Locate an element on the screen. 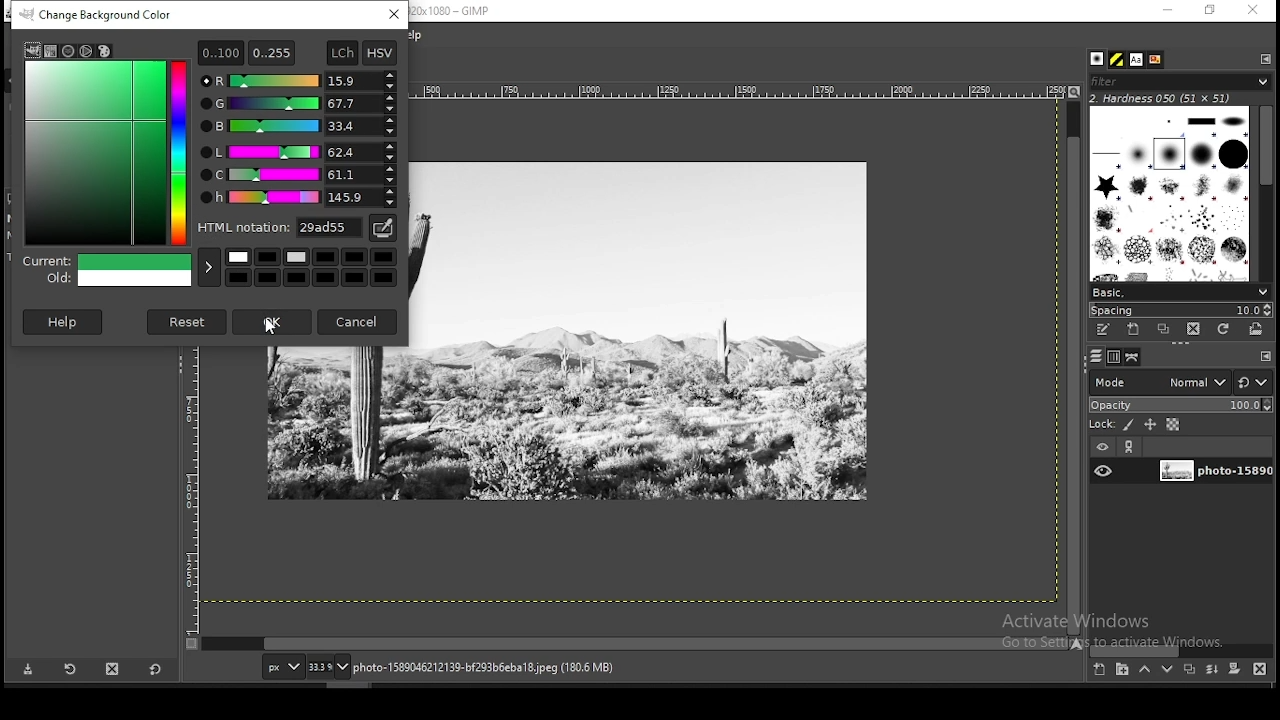 The height and width of the screenshot is (720, 1280). palette is located at coordinates (104, 51).